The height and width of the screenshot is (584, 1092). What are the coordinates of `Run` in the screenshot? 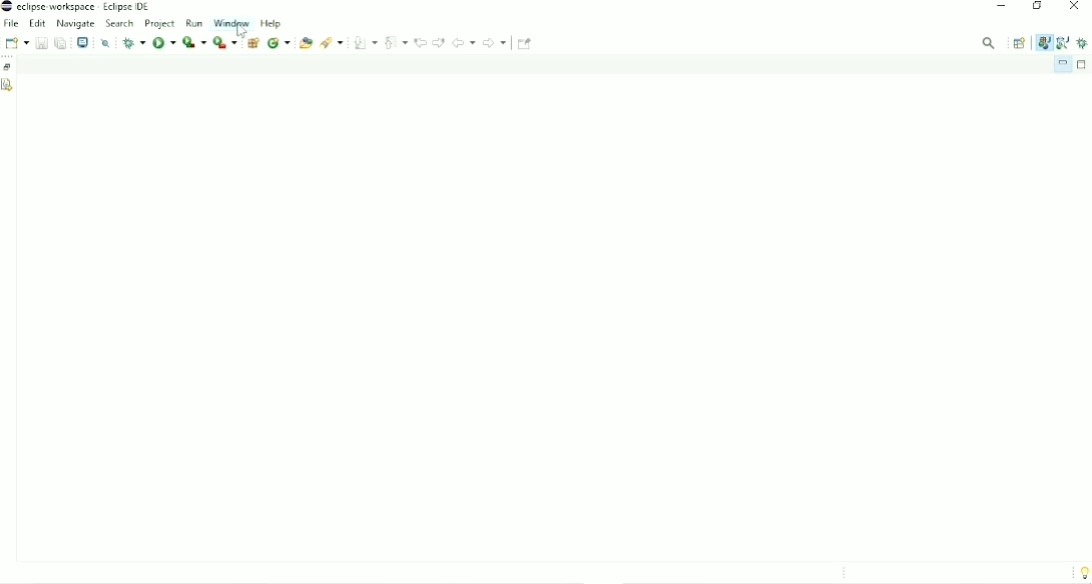 It's located at (164, 43).